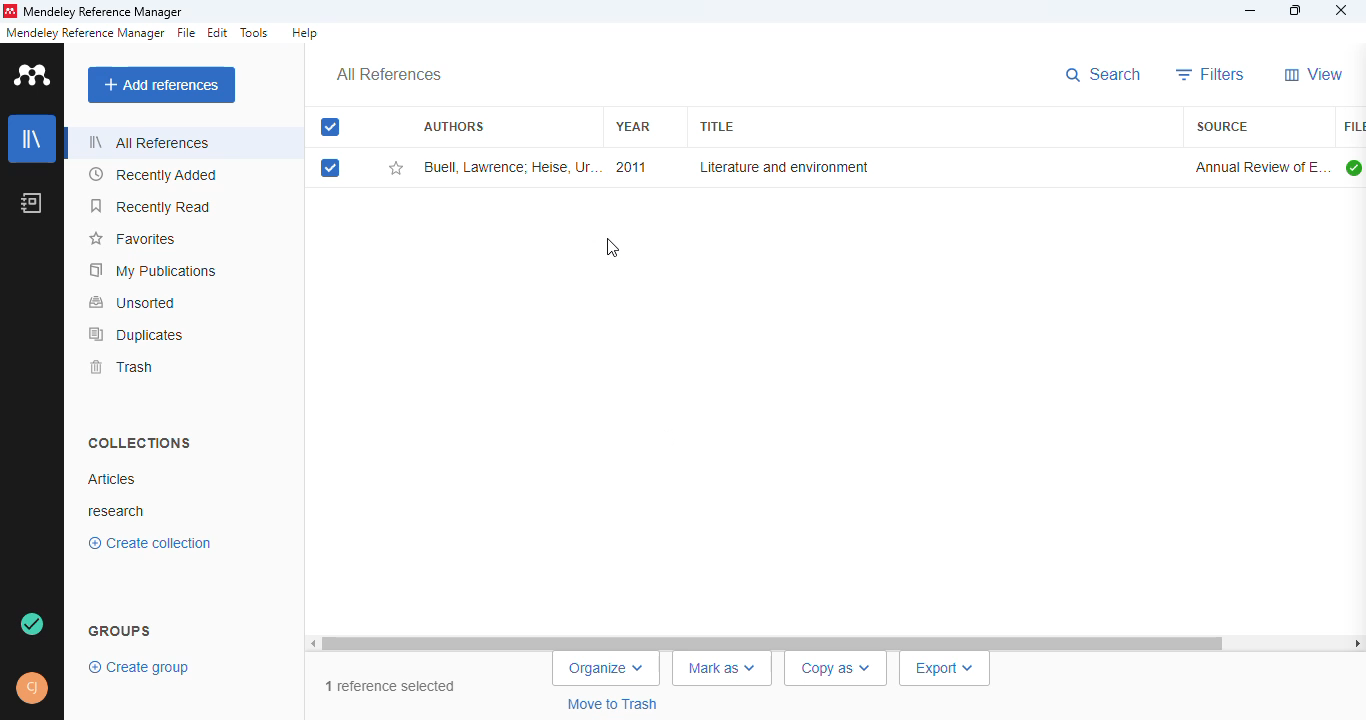 The image size is (1366, 720). What do you see at coordinates (945, 669) in the screenshot?
I see `export` at bounding box center [945, 669].